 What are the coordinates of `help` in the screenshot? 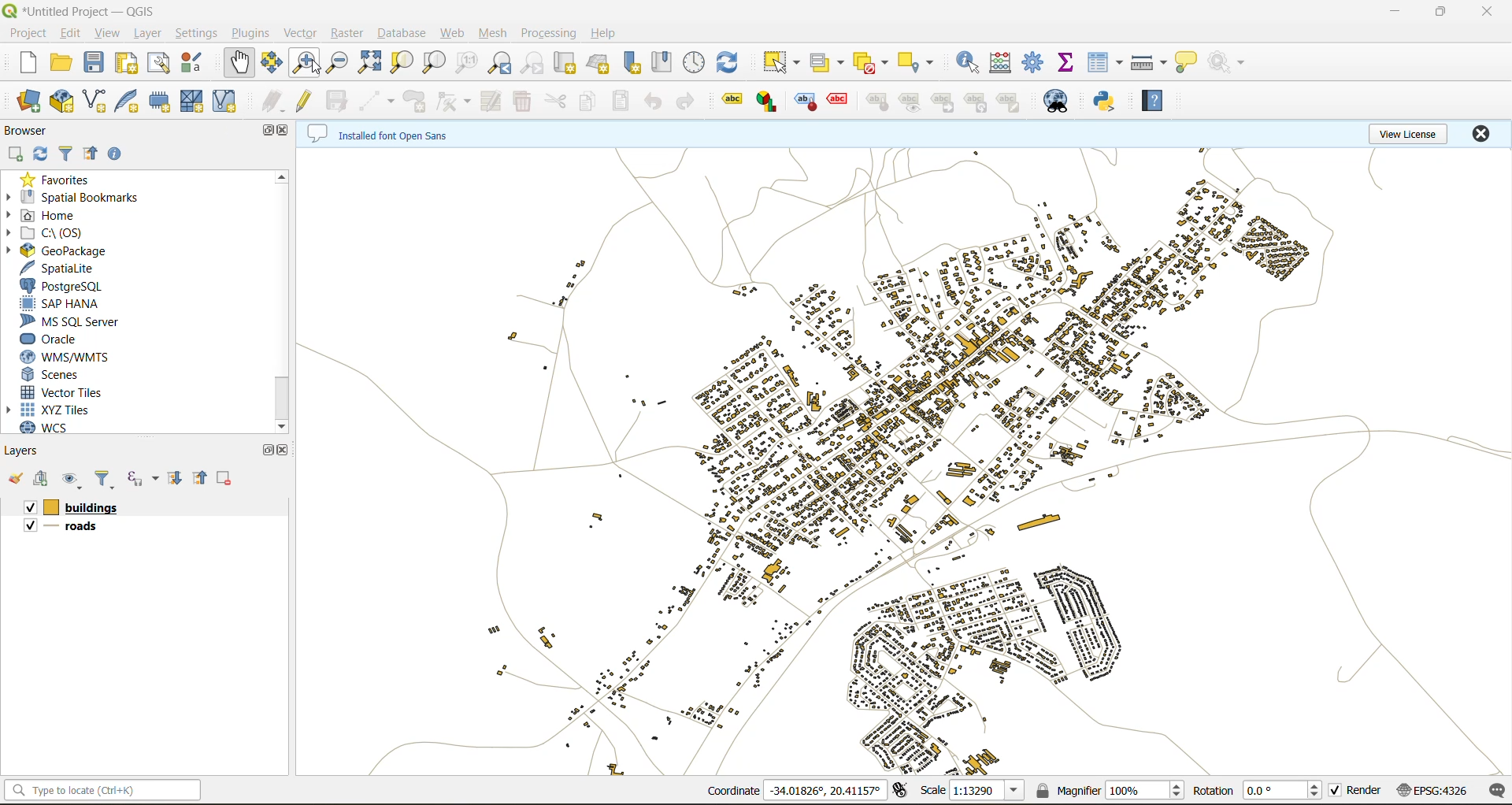 It's located at (613, 33).